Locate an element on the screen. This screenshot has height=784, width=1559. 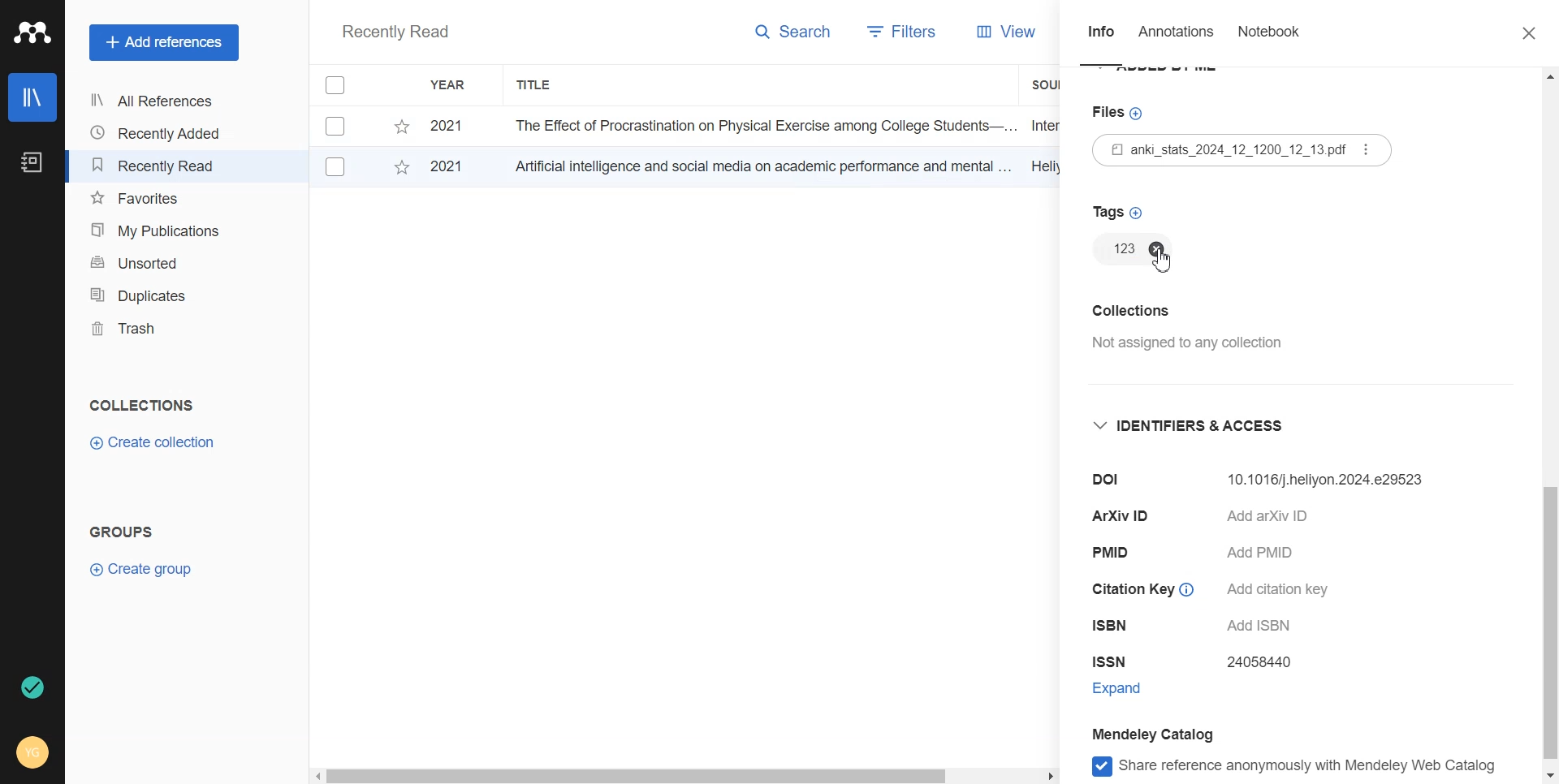
Duplicates is located at coordinates (159, 295).